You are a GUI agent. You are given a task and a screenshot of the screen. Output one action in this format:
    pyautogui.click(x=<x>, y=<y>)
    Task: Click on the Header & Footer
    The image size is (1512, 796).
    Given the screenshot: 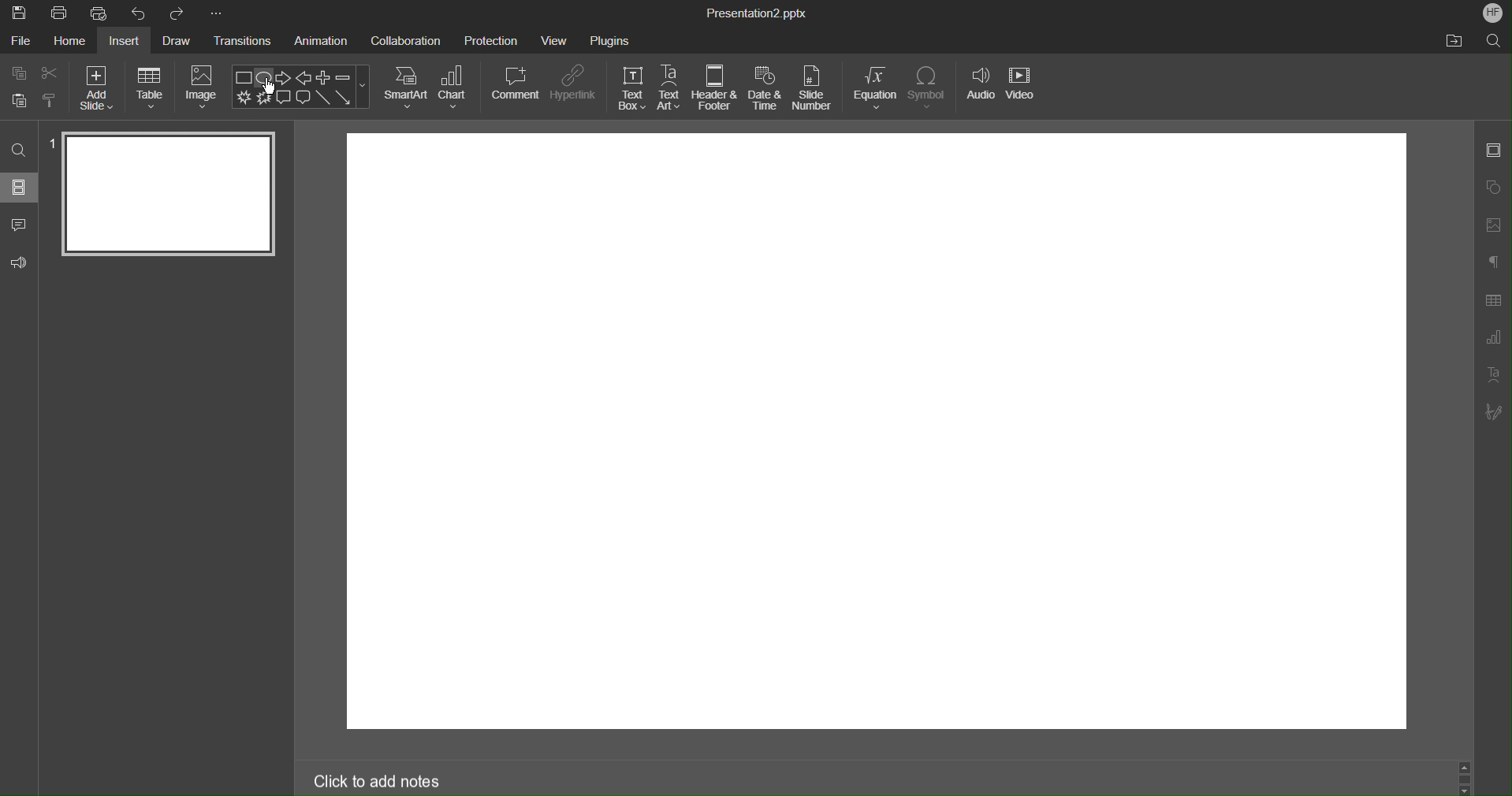 What is the action you would take?
    pyautogui.click(x=715, y=88)
    